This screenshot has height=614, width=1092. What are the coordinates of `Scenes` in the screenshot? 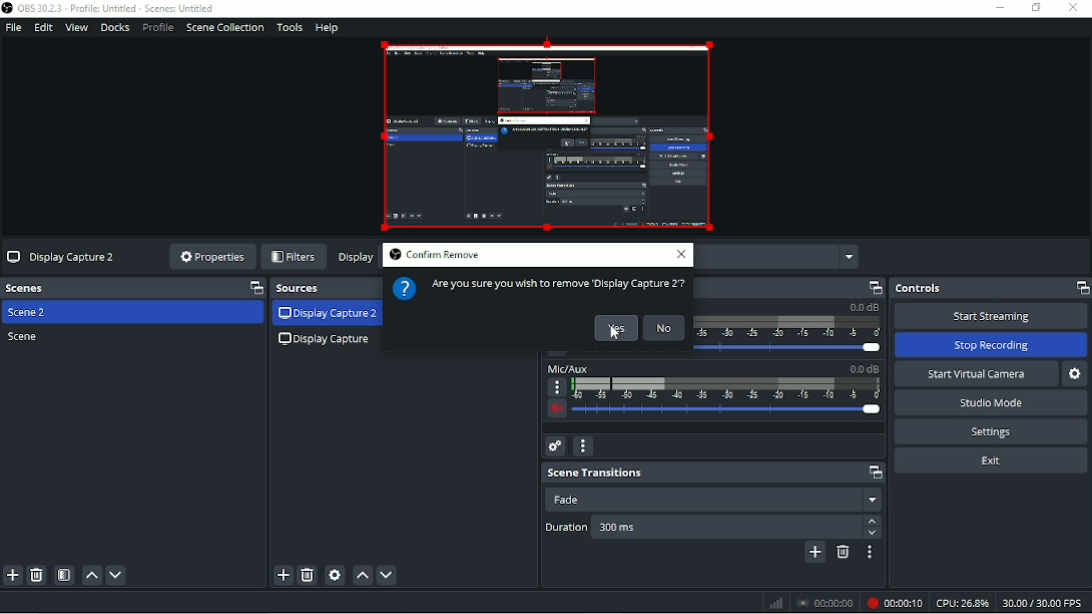 It's located at (133, 288).